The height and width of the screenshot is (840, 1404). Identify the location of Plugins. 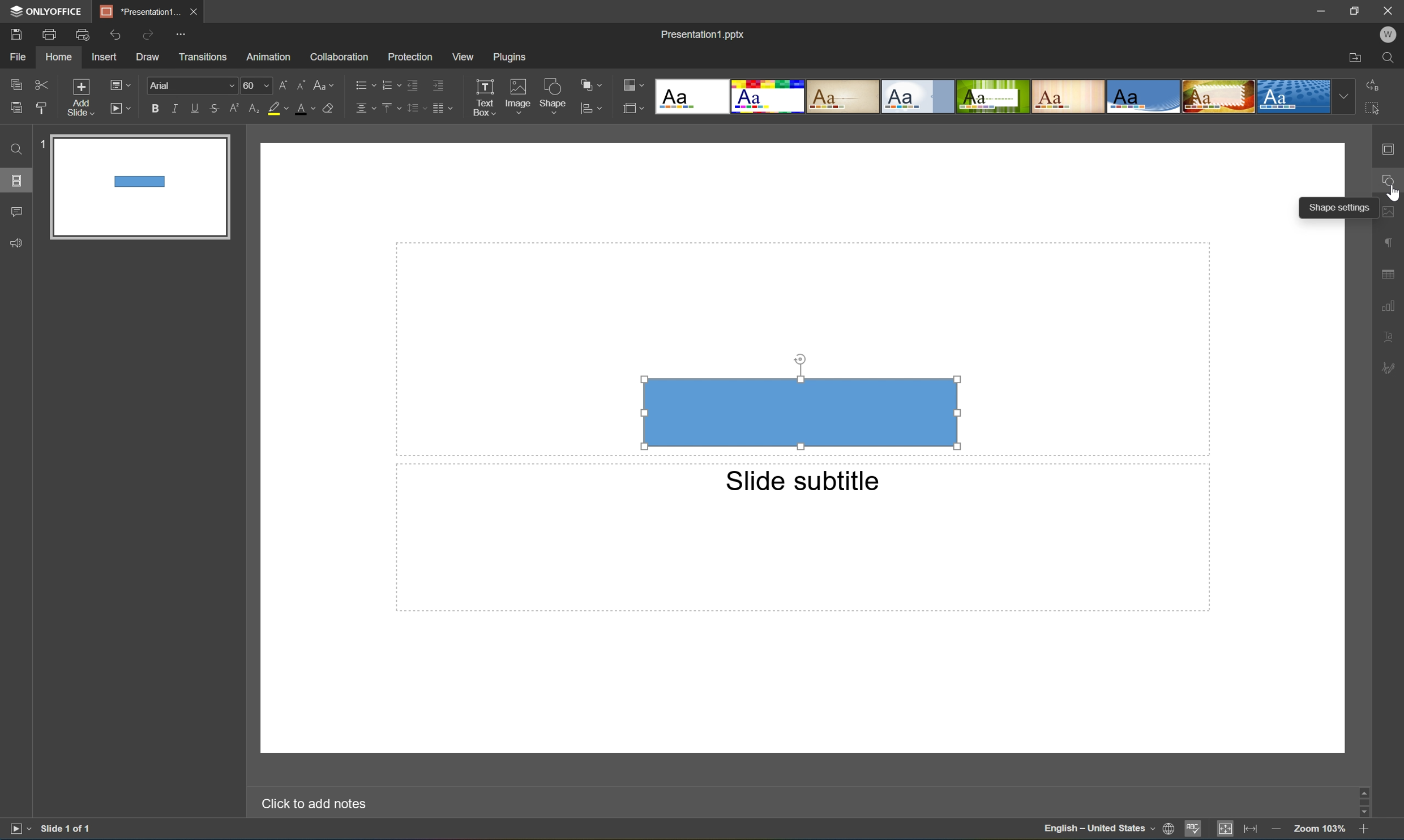
(508, 57).